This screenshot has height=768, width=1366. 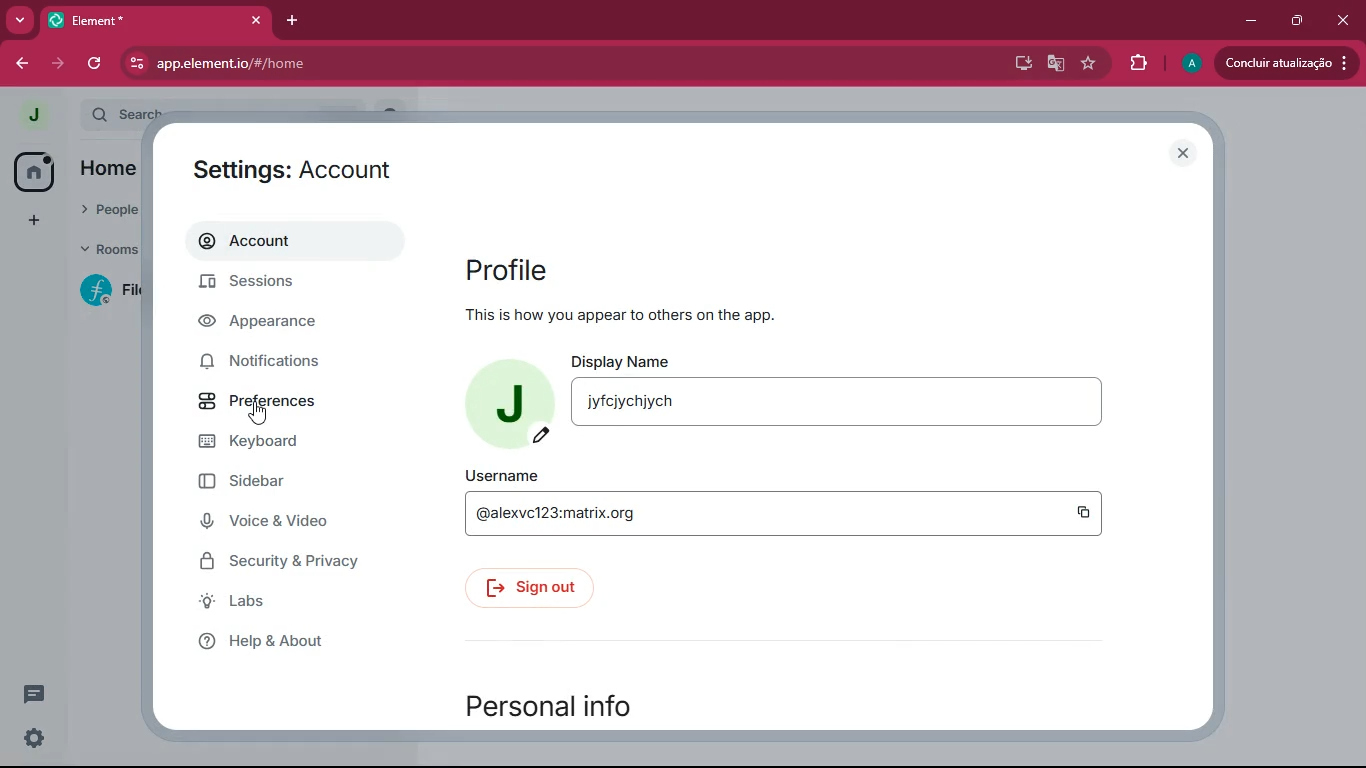 I want to click on conversations, so click(x=31, y=694).